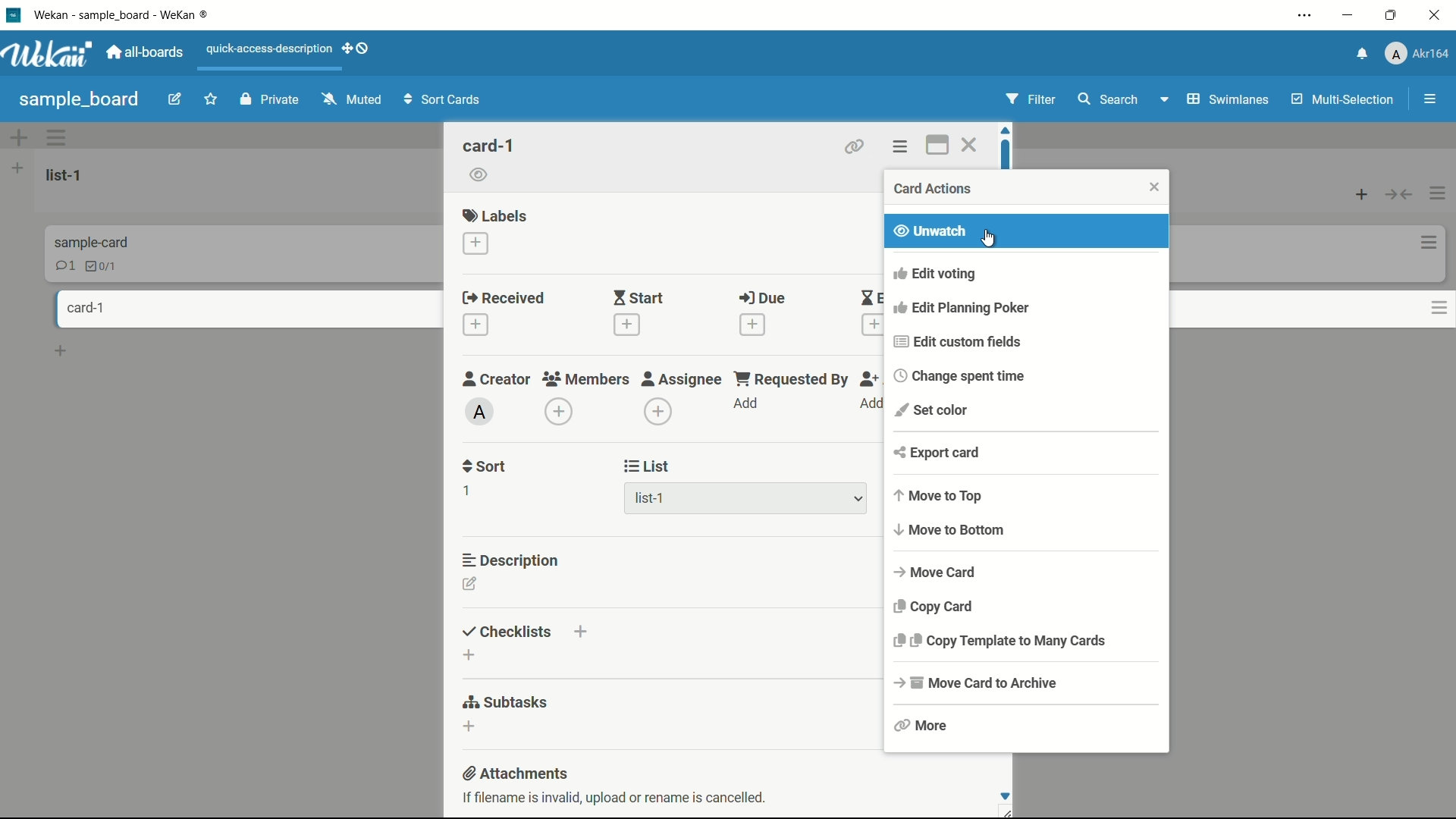  Describe the element at coordinates (943, 453) in the screenshot. I see `export card` at that location.